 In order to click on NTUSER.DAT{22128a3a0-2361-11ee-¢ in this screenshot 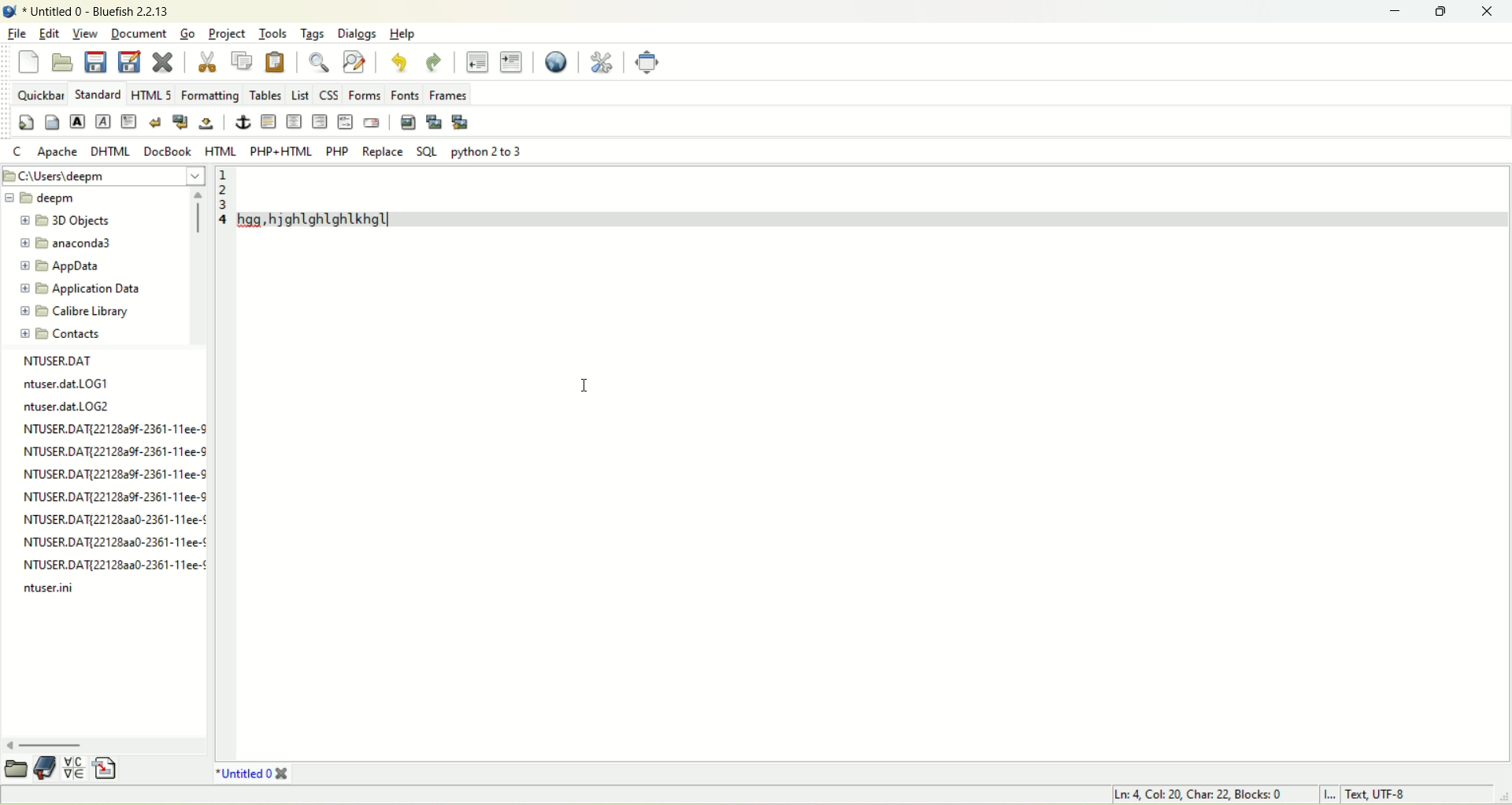, I will do `click(110, 542)`.